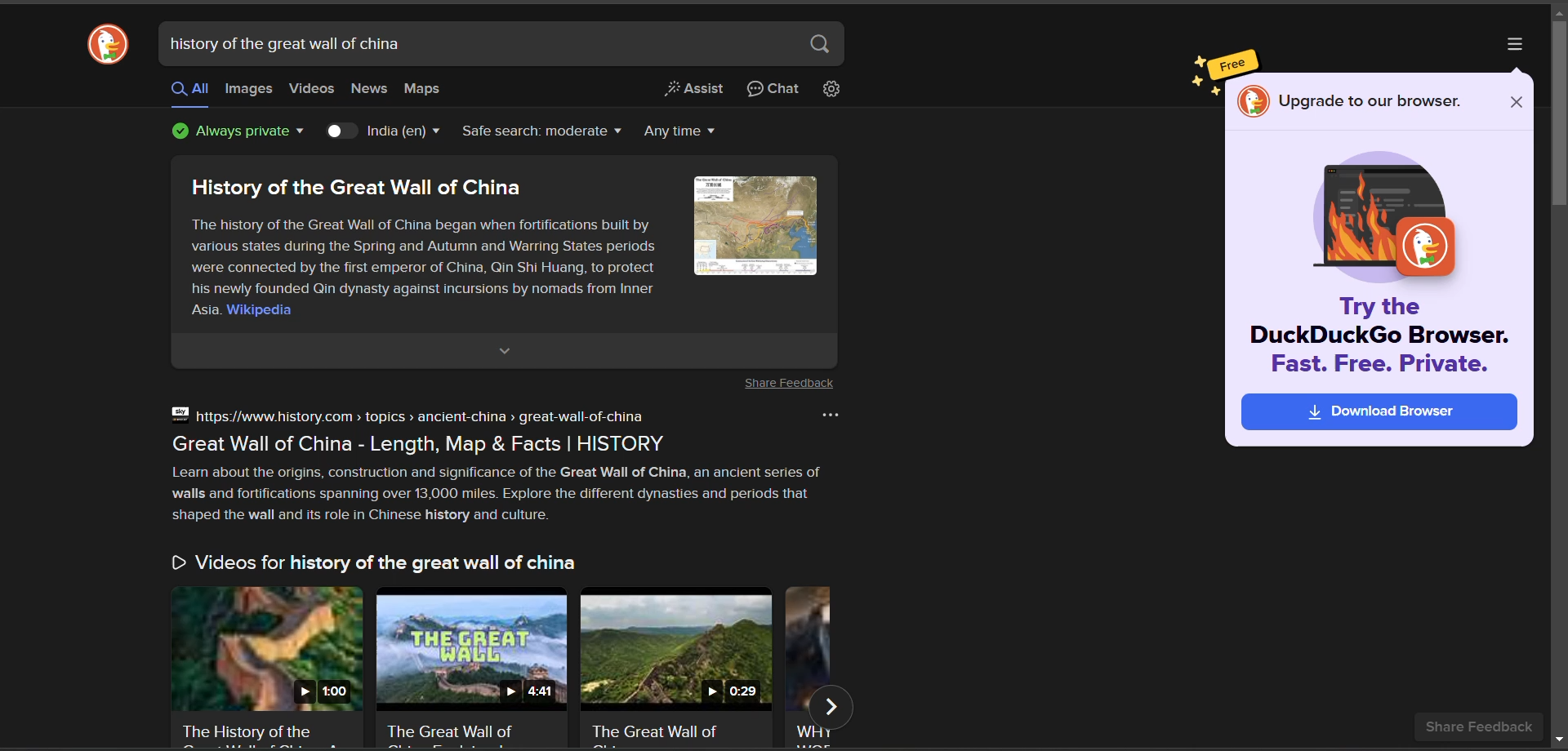 The width and height of the screenshot is (1568, 751). What do you see at coordinates (1558, 117) in the screenshot?
I see `vertical scroll bar` at bounding box center [1558, 117].